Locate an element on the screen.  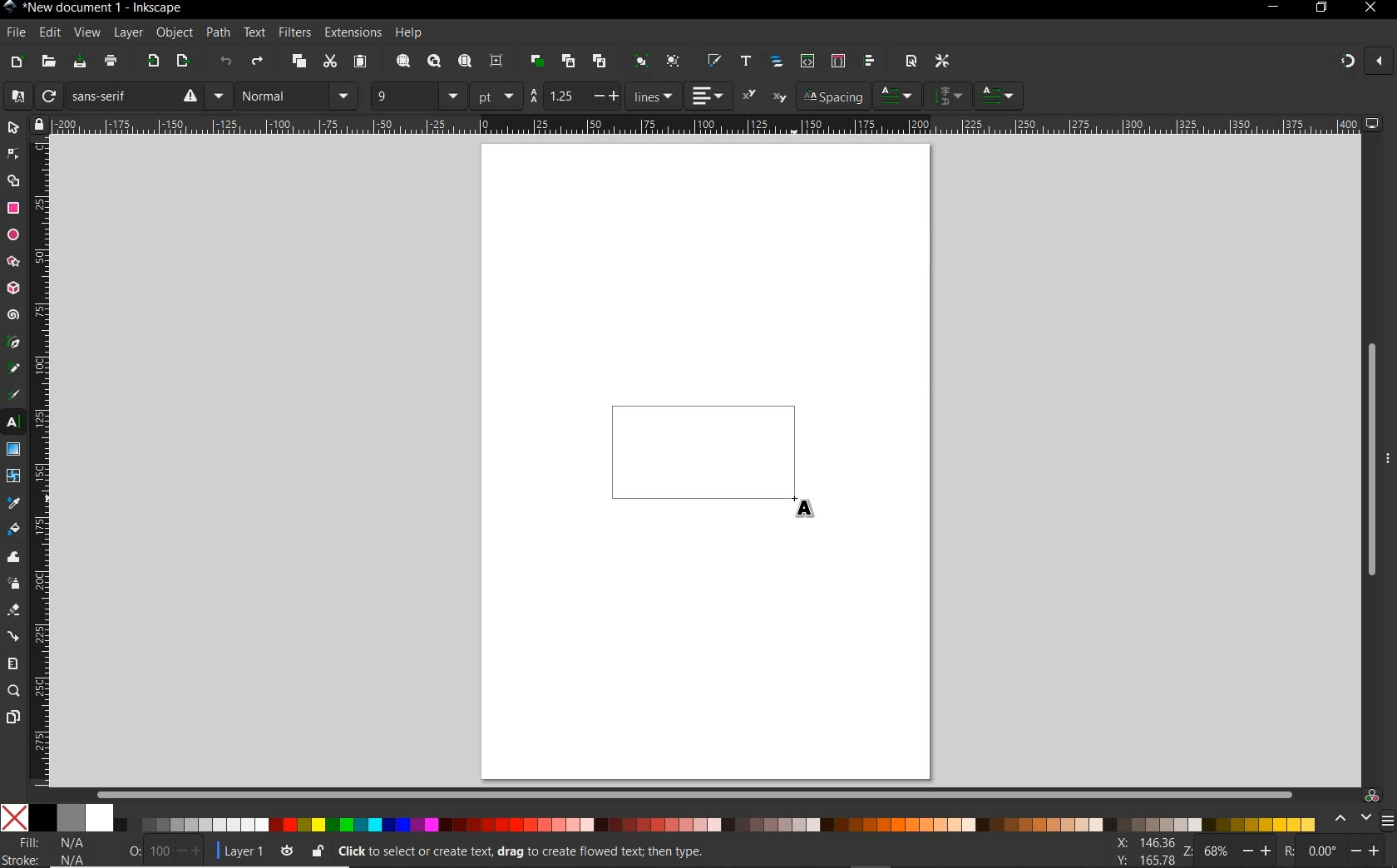
refresh is located at coordinates (47, 96).